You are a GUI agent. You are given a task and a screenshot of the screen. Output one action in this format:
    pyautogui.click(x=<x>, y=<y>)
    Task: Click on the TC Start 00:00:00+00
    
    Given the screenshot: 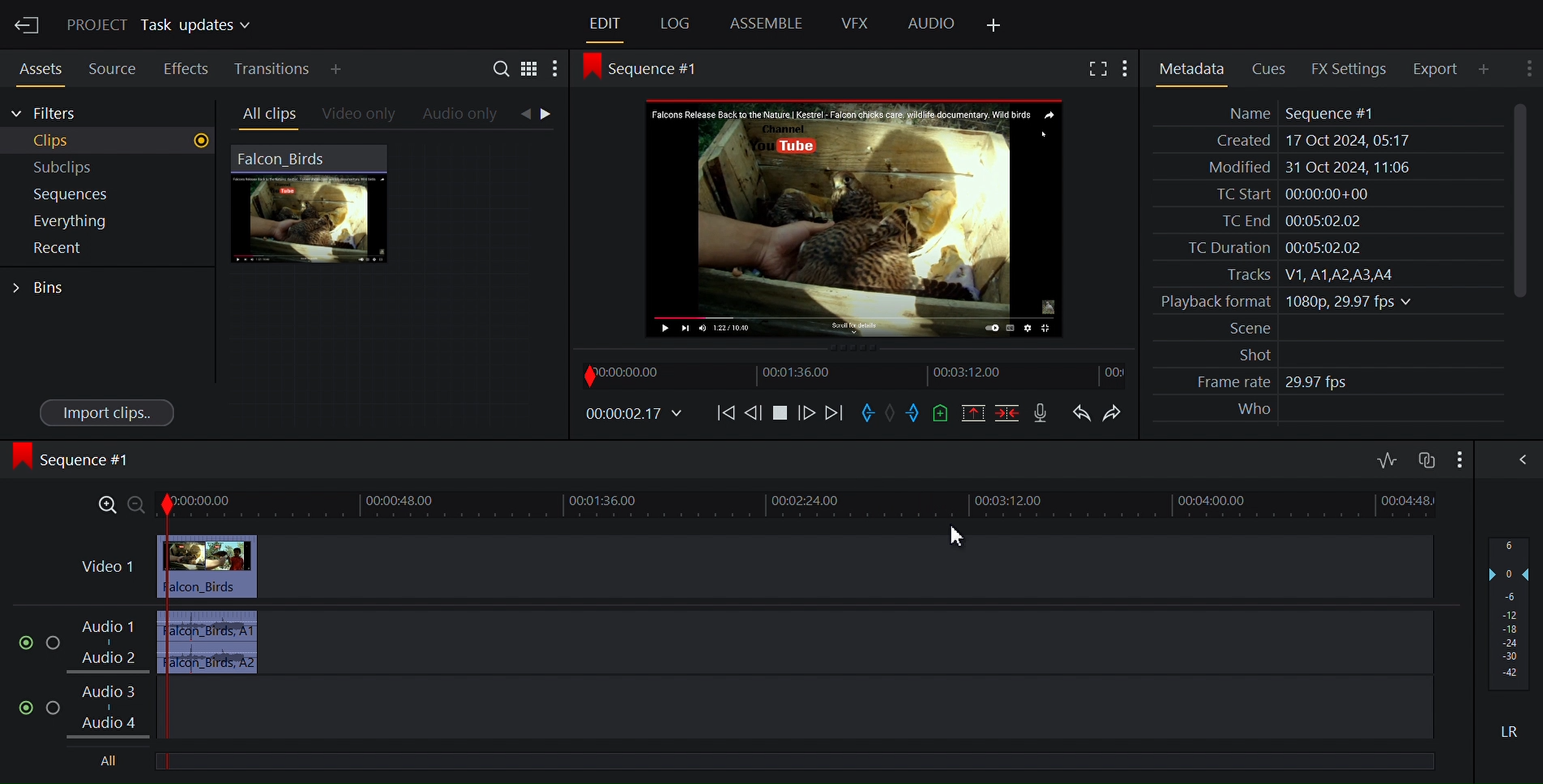 What is the action you would take?
    pyautogui.click(x=1287, y=194)
    